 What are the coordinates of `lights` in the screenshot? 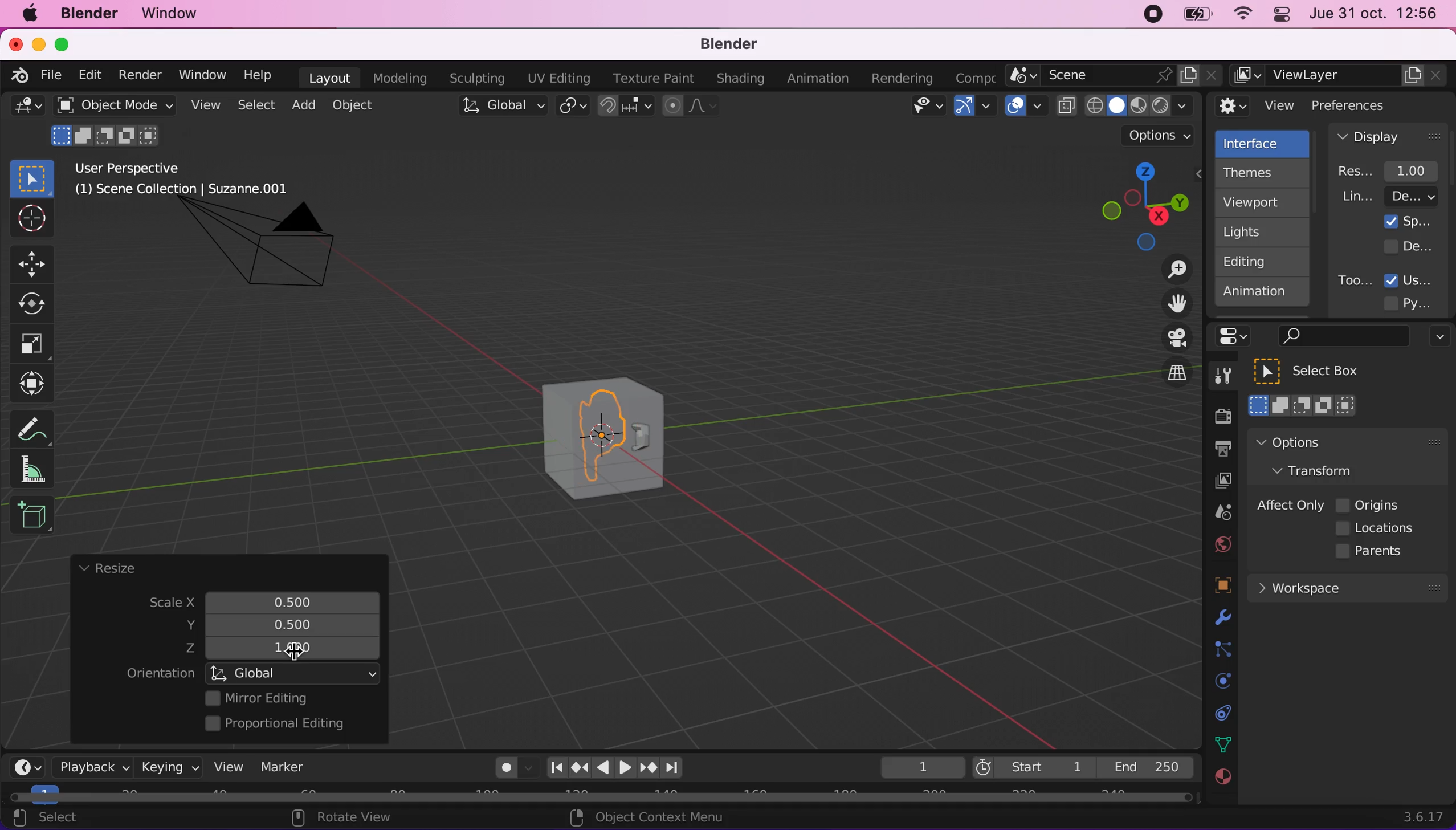 It's located at (1265, 233).